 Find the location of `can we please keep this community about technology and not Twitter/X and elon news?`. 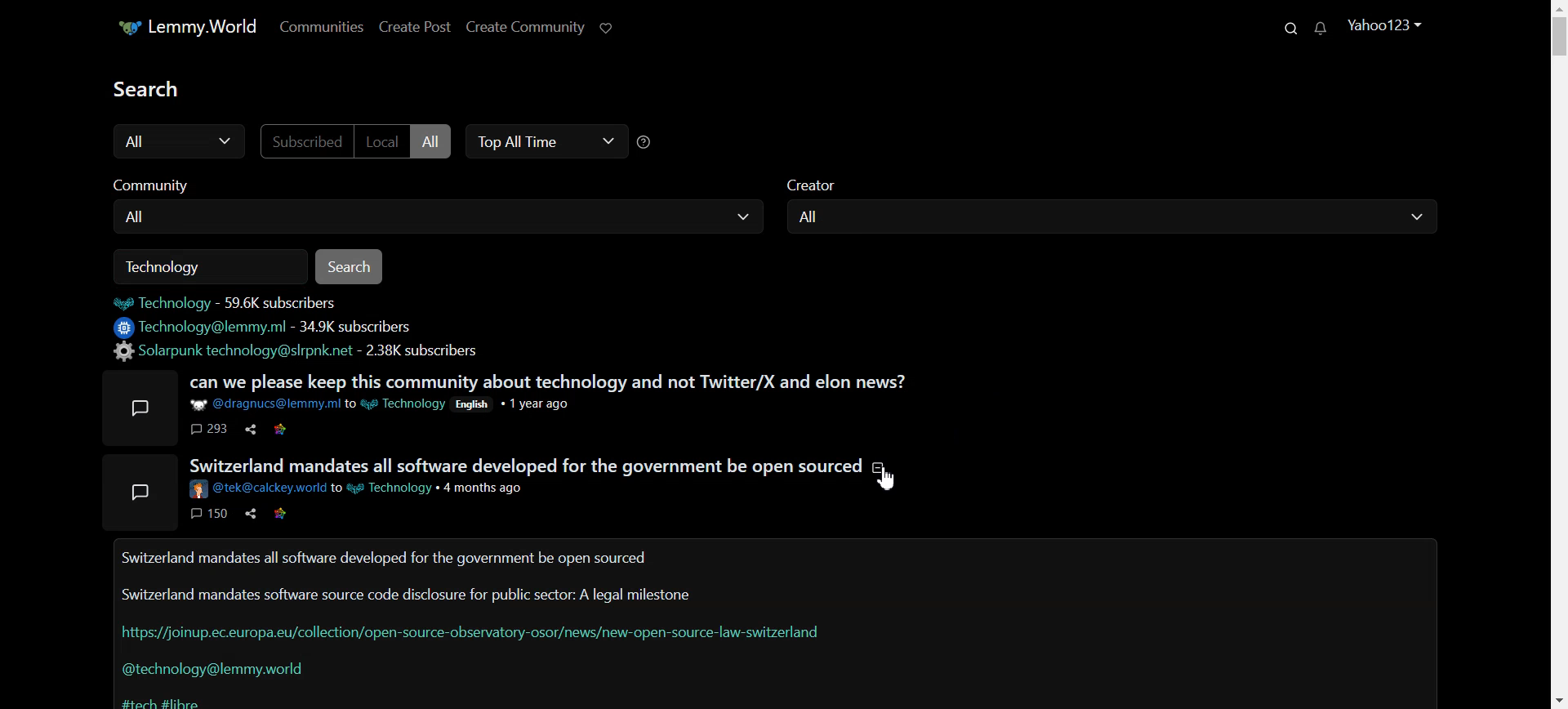

can we please keep this community about technology and not Twitter/X and elon news? is located at coordinates (550, 381).